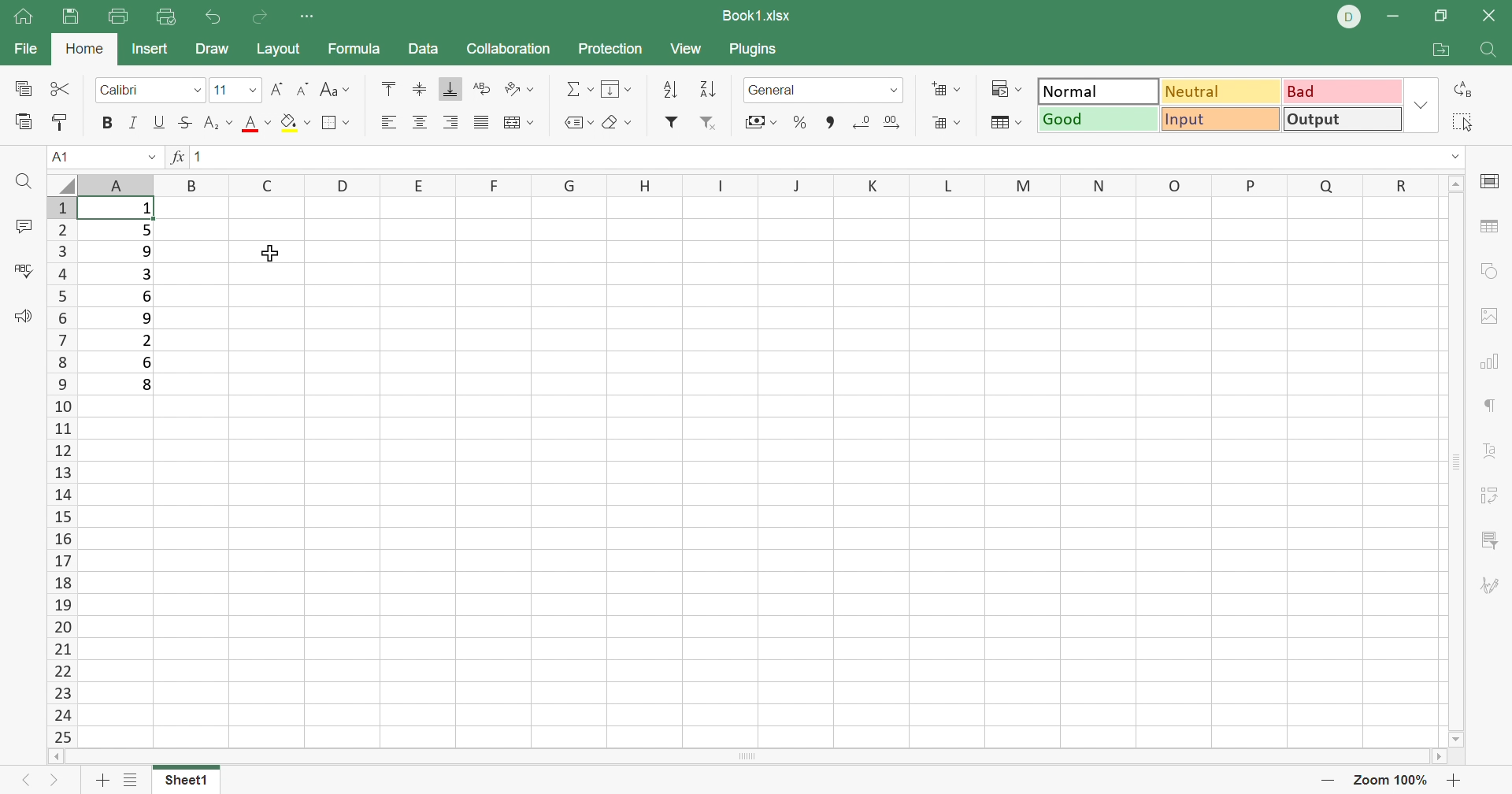 The image size is (1512, 794). What do you see at coordinates (26, 181) in the screenshot?
I see `Find` at bounding box center [26, 181].